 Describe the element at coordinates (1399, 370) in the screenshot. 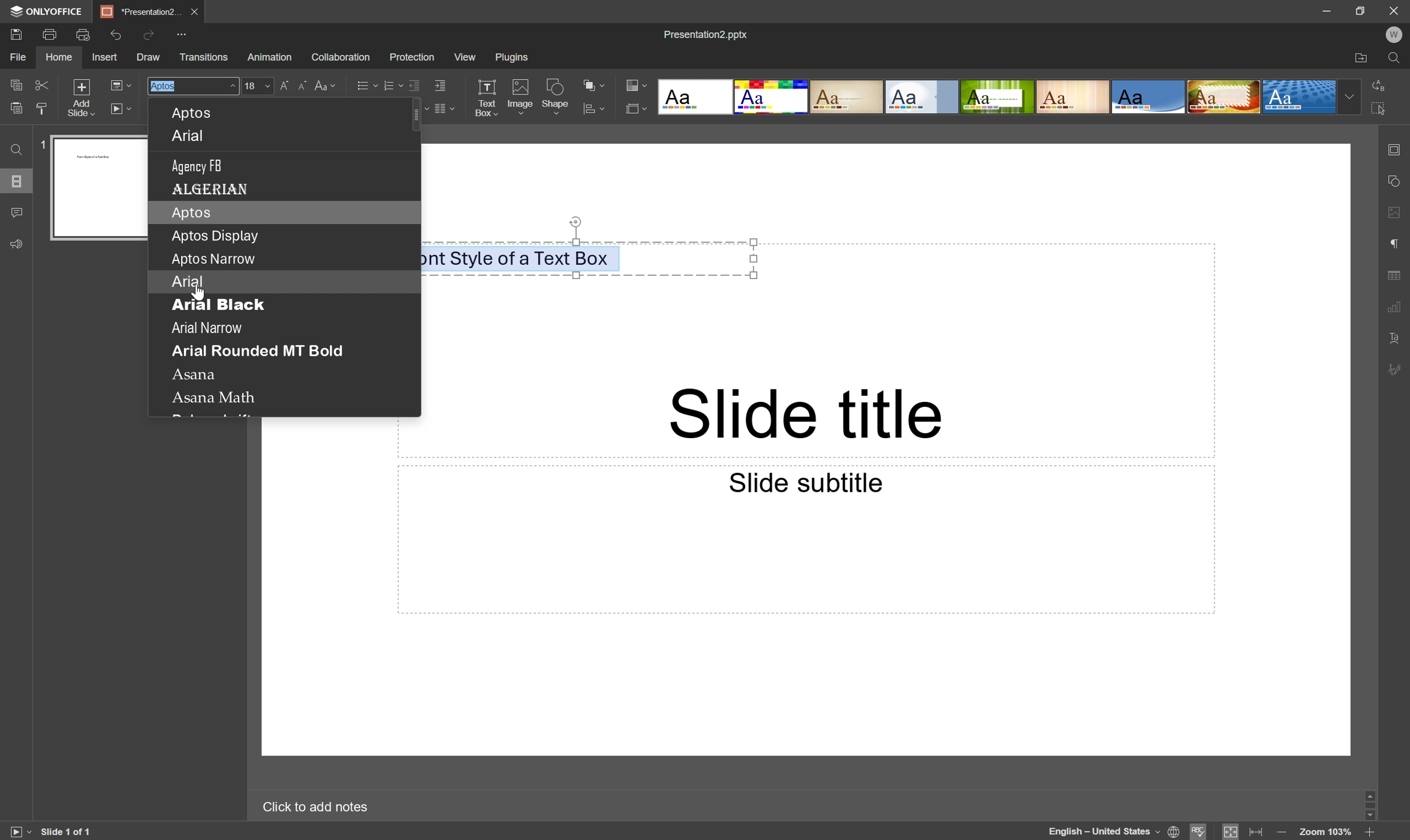

I see `Signature settings` at that location.